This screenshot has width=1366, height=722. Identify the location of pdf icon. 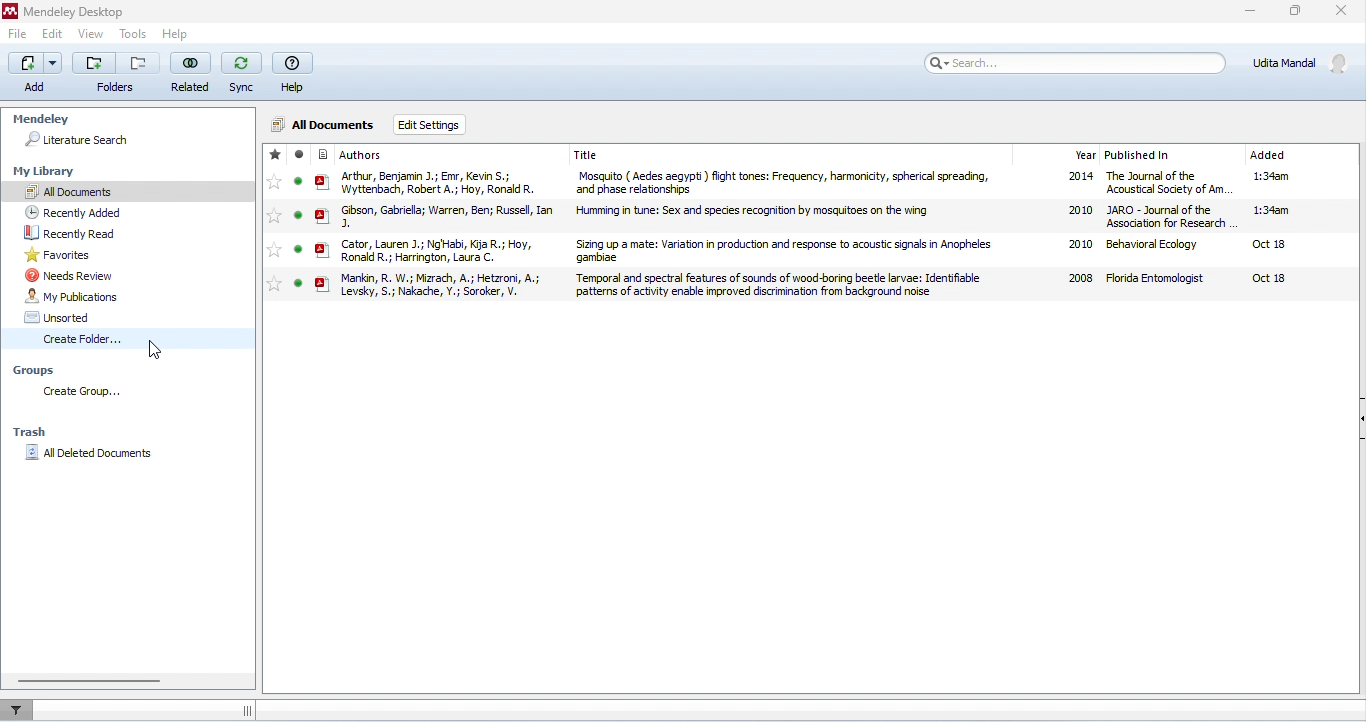
(322, 250).